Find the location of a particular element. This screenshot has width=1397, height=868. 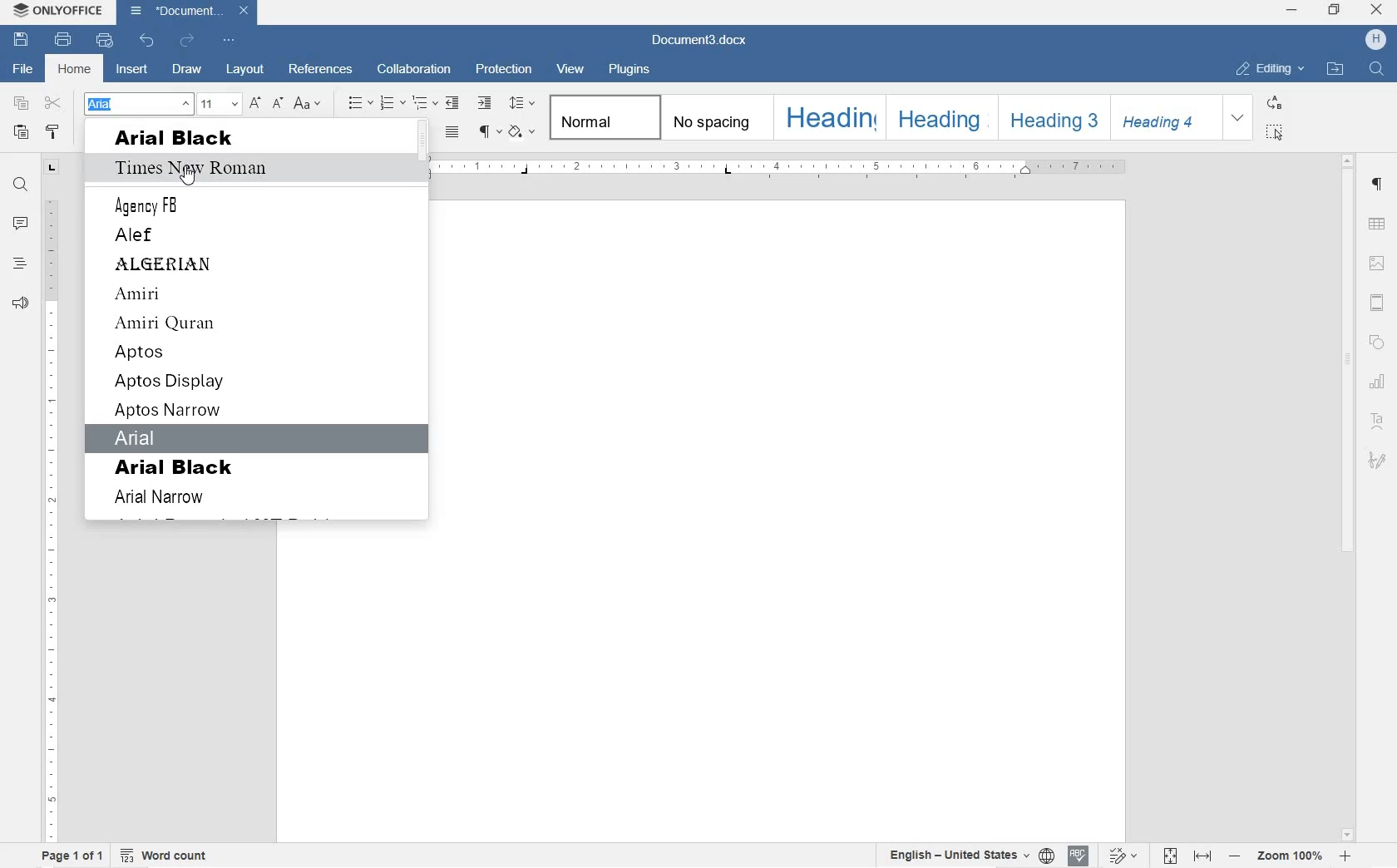

Document3.docx is located at coordinates (711, 41).